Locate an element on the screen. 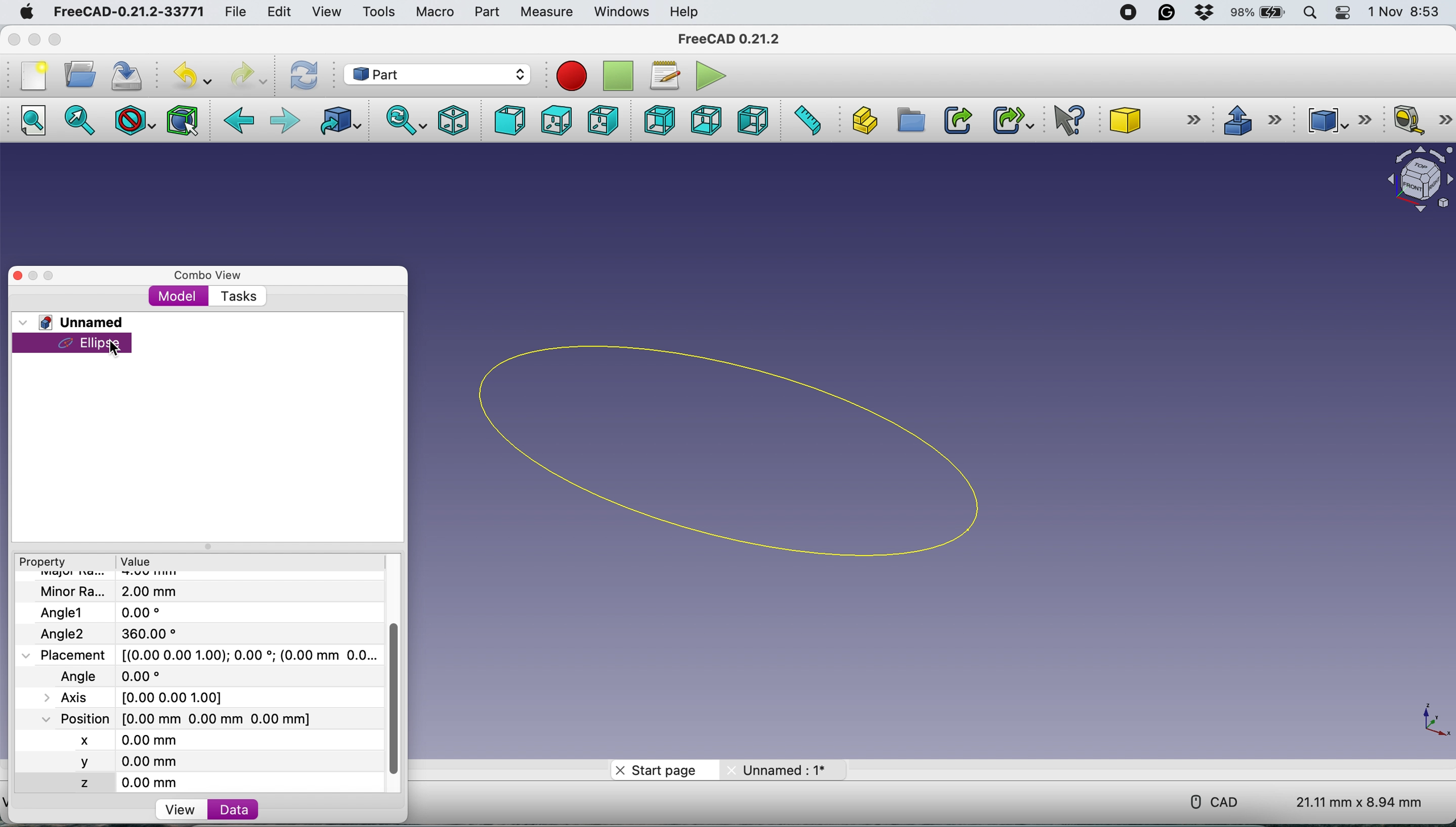 This screenshot has height=827, width=1456. placement is located at coordinates (210, 655).